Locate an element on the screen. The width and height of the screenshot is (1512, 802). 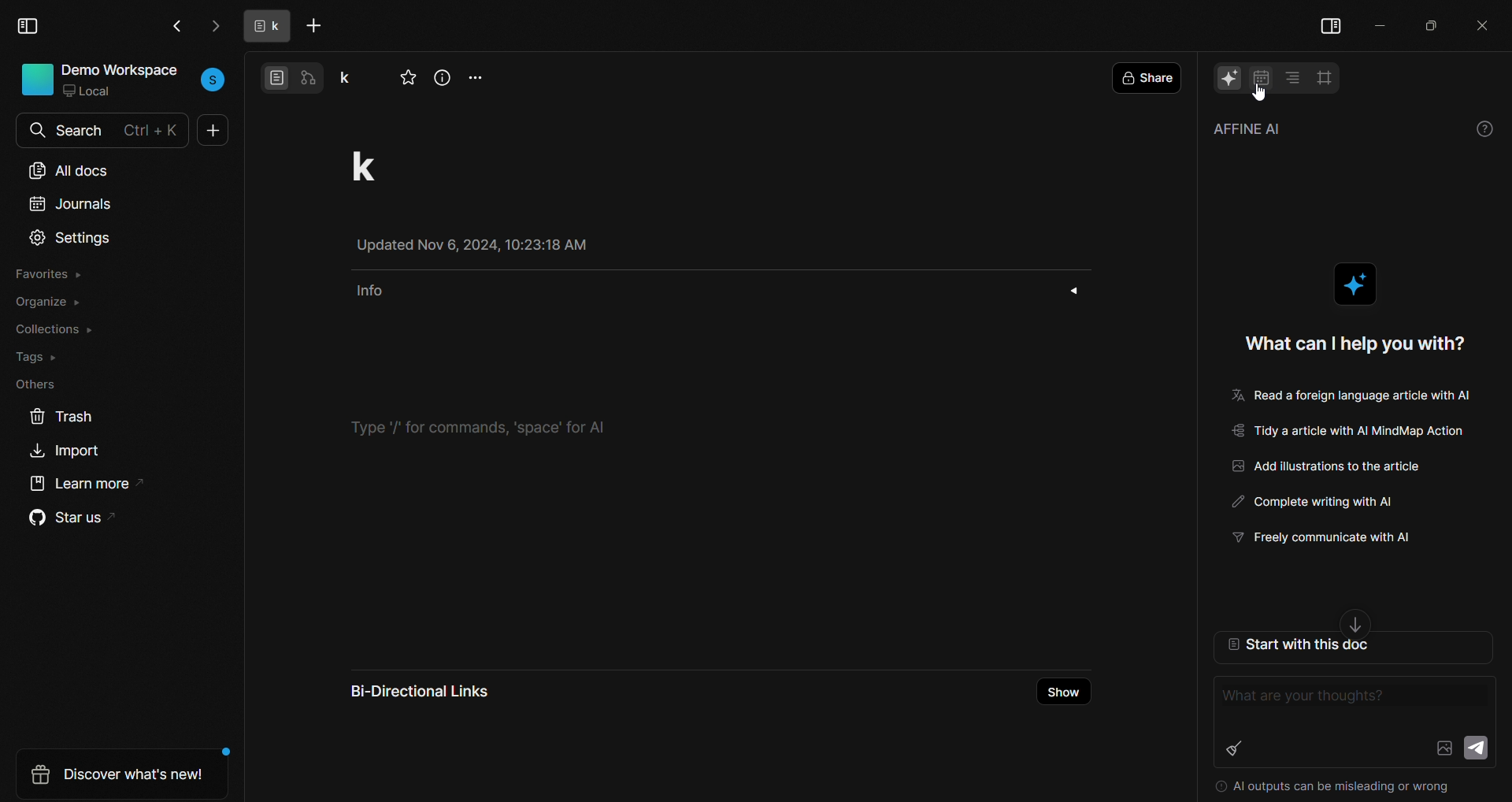
organize is located at coordinates (49, 303).